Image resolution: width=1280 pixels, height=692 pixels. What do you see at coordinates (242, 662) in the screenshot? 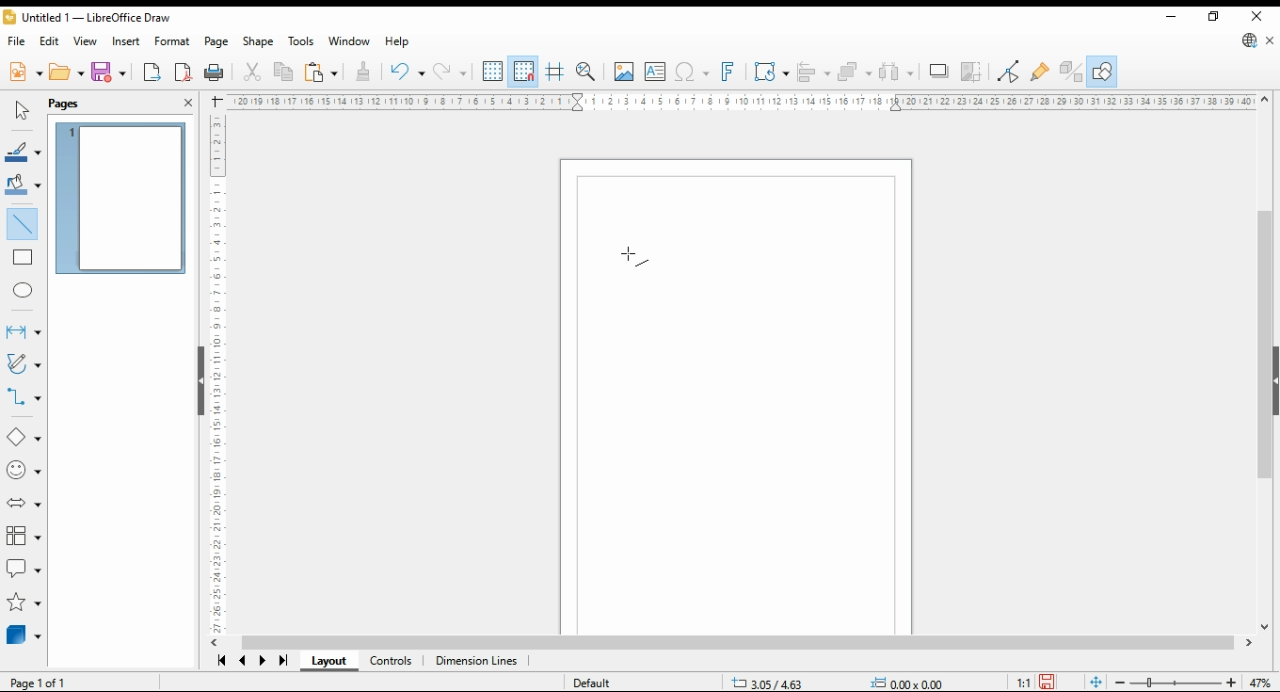
I see `previous page` at bounding box center [242, 662].